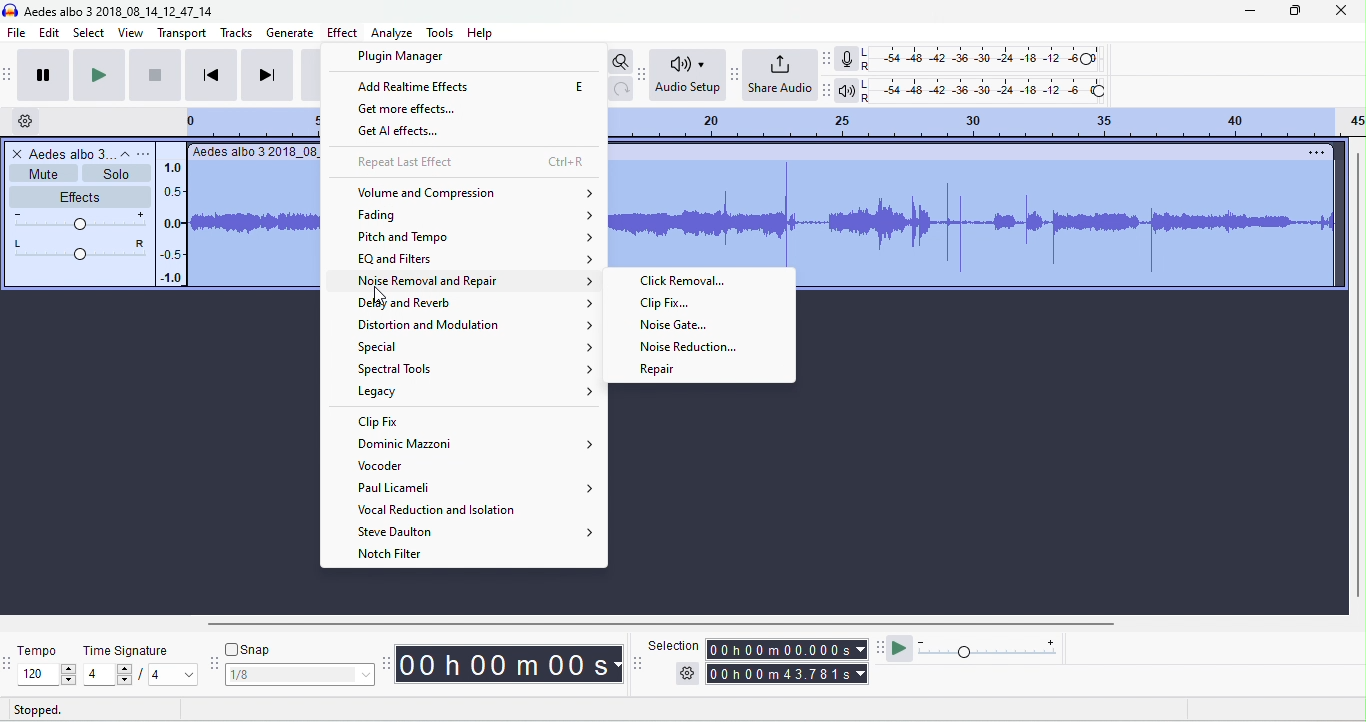 The height and width of the screenshot is (722, 1366). What do you see at coordinates (848, 91) in the screenshot?
I see `playback meter` at bounding box center [848, 91].